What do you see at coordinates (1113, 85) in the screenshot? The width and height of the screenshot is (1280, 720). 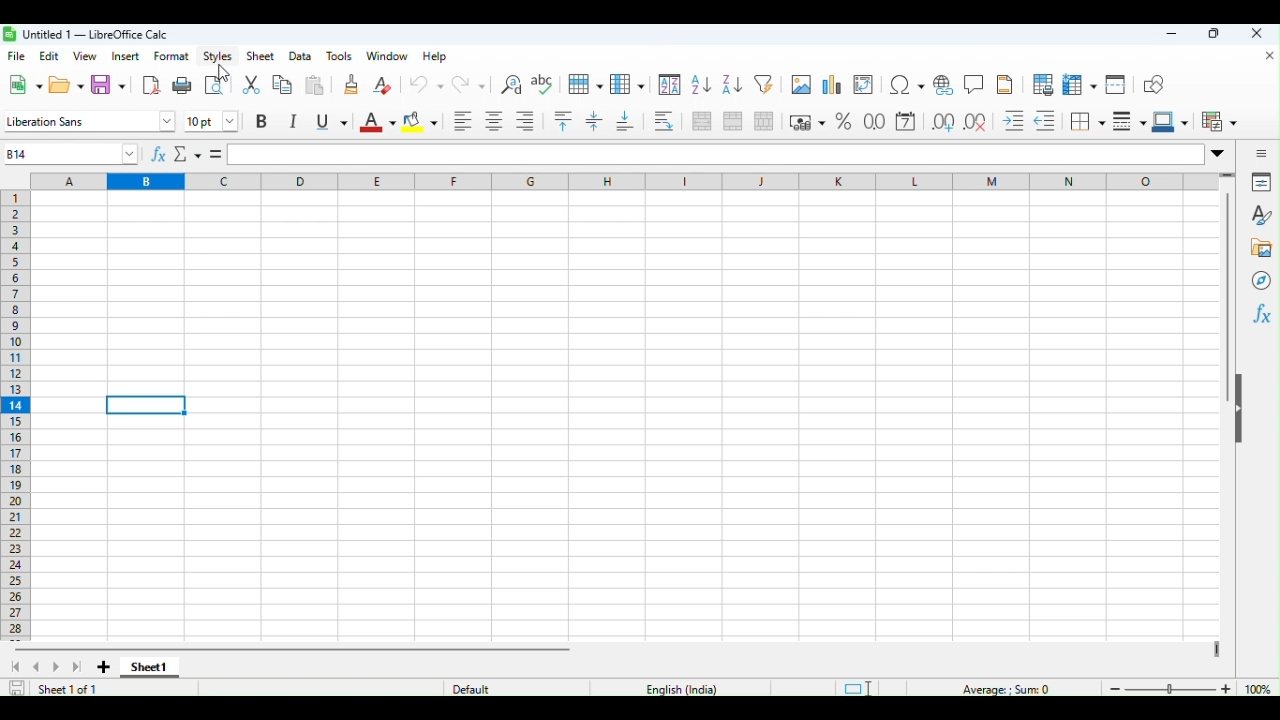 I see `Split window` at bounding box center [1113, 85].